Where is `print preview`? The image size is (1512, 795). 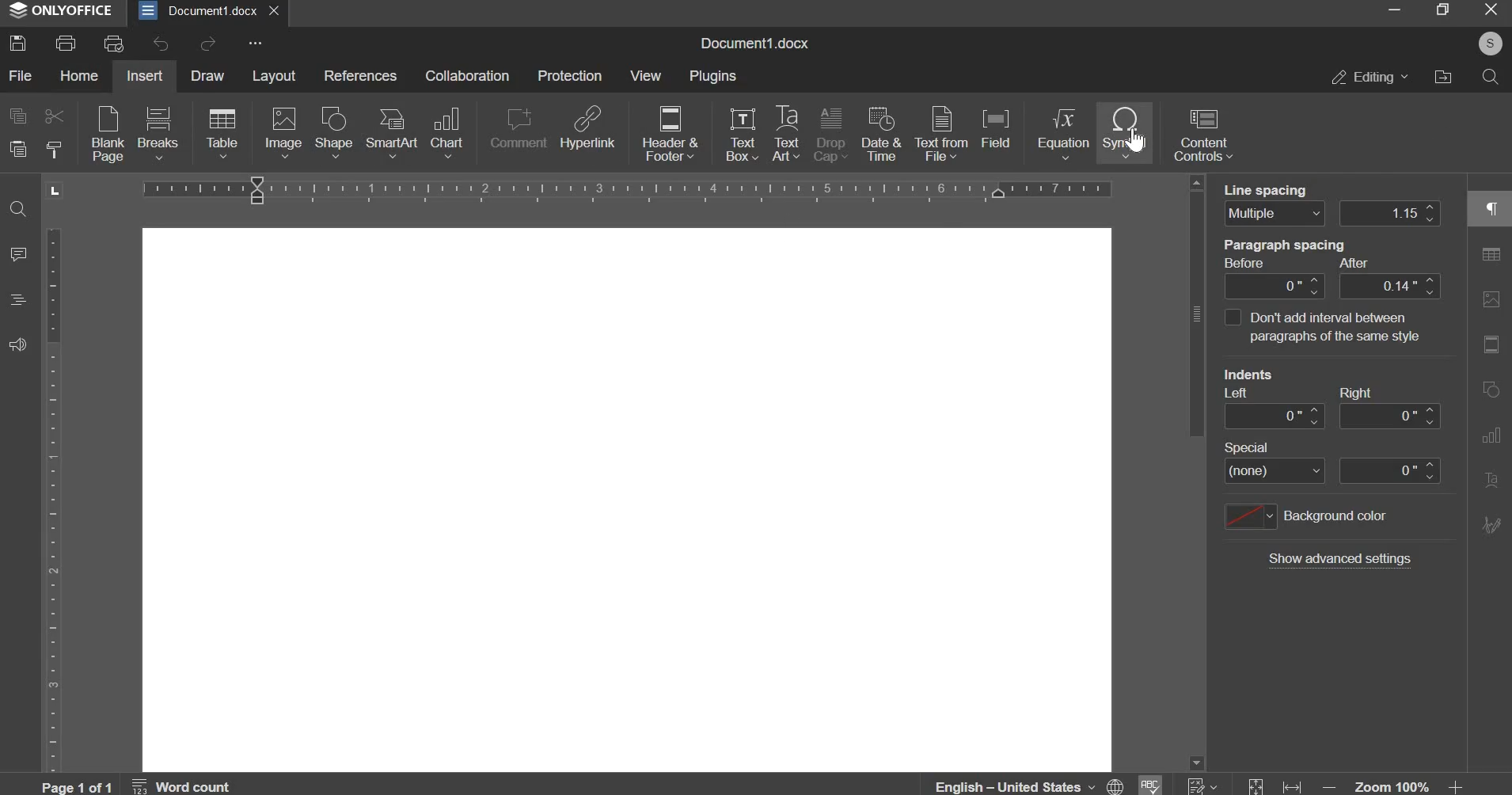
print preview is located at coordinates (116, 43).